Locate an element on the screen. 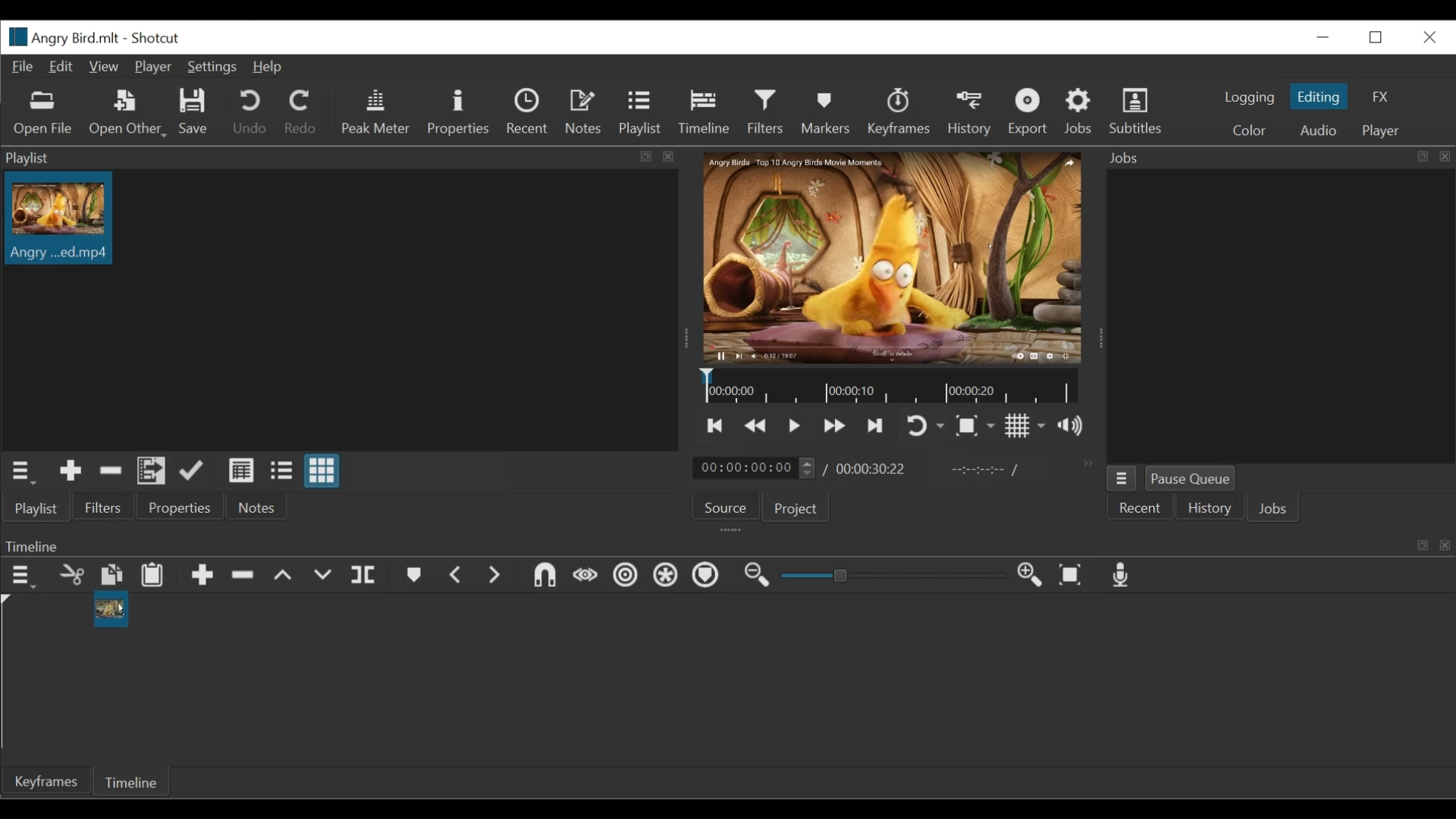 This screenshot has height=819, width=1456. Paste is located at coordinates (152, 577).